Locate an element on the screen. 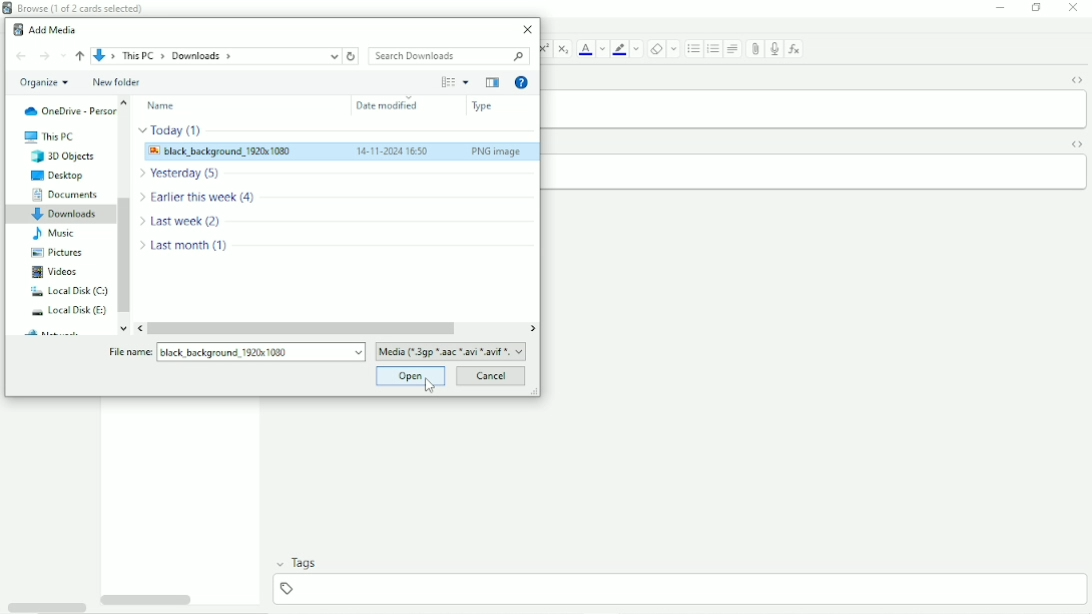  Forward is located at coordinates (45, 55).